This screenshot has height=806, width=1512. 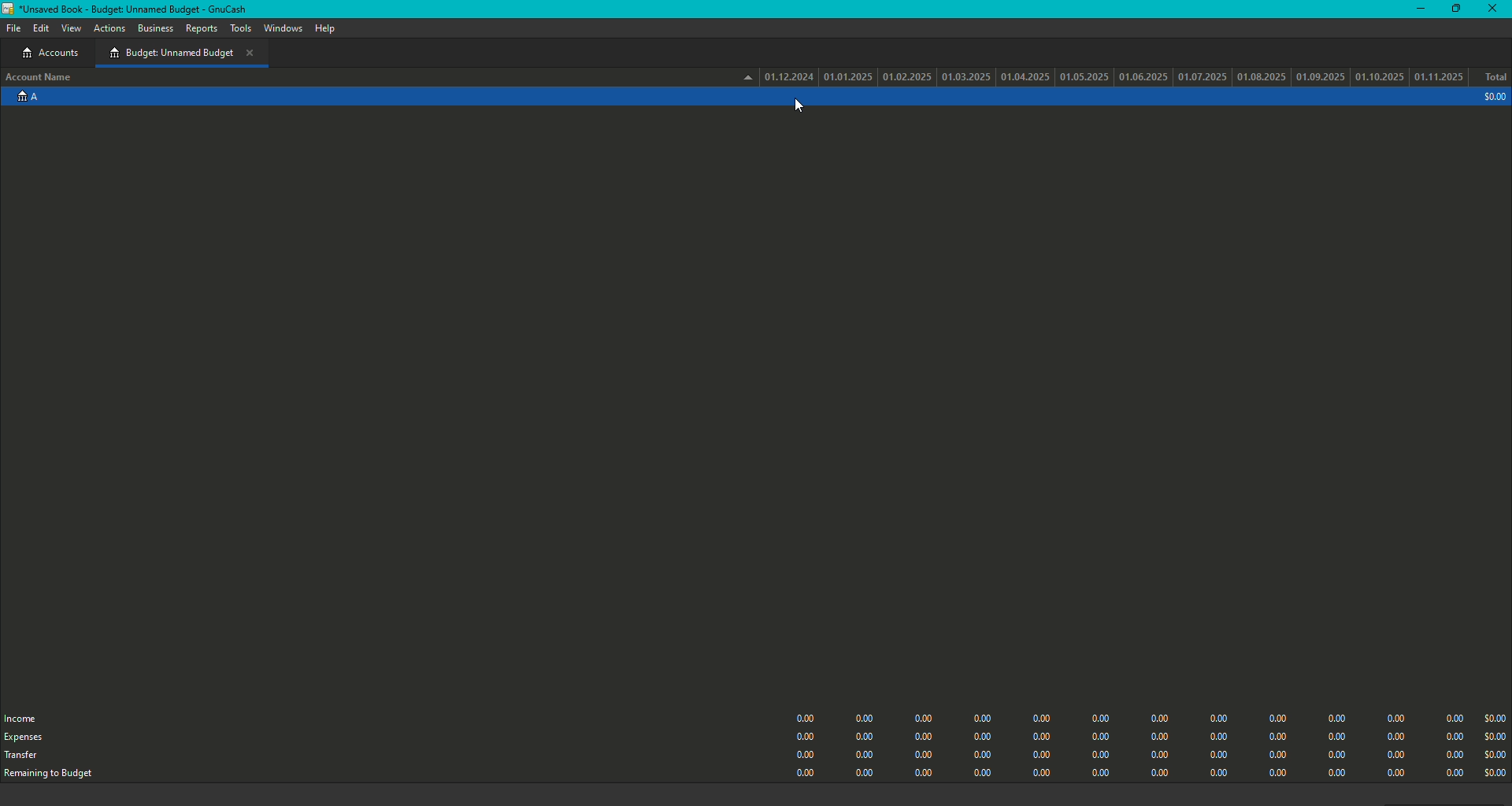 I want to click on View, so click(x=72, y=29).